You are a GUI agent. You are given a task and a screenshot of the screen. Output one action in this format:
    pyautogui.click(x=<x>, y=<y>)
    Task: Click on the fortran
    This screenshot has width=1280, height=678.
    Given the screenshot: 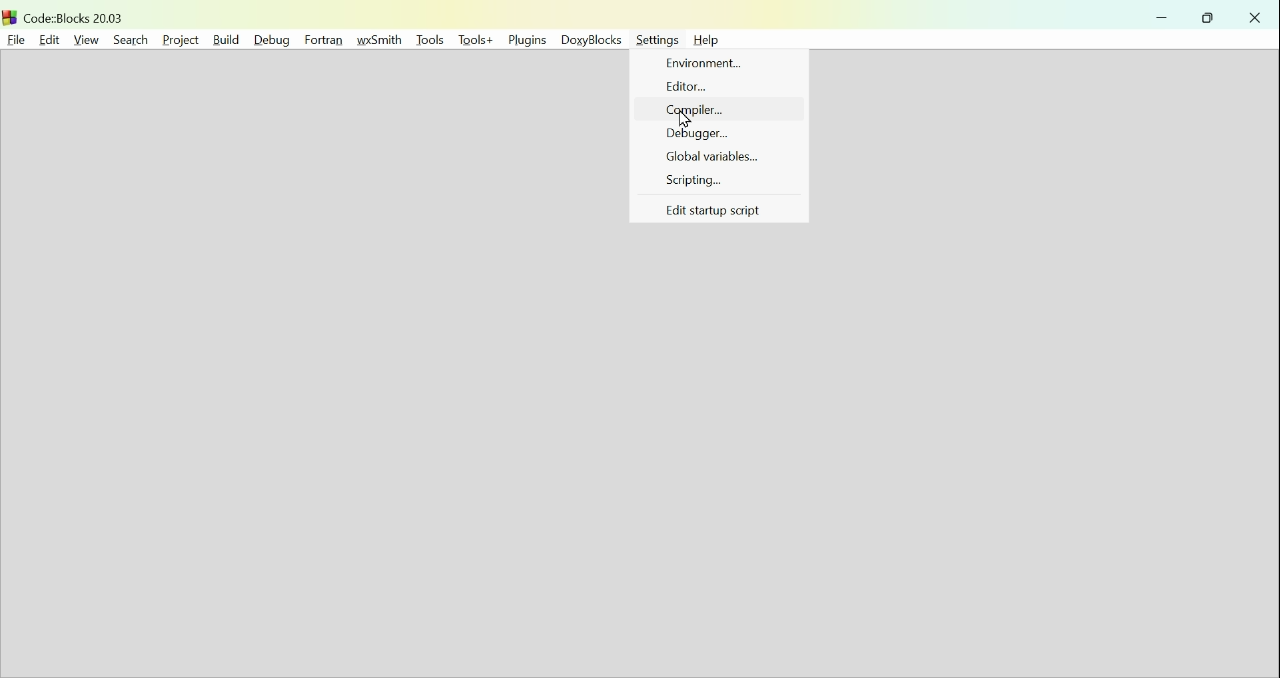 What is the action you would take?
    pyautogui.click(x=322, y=39)
    